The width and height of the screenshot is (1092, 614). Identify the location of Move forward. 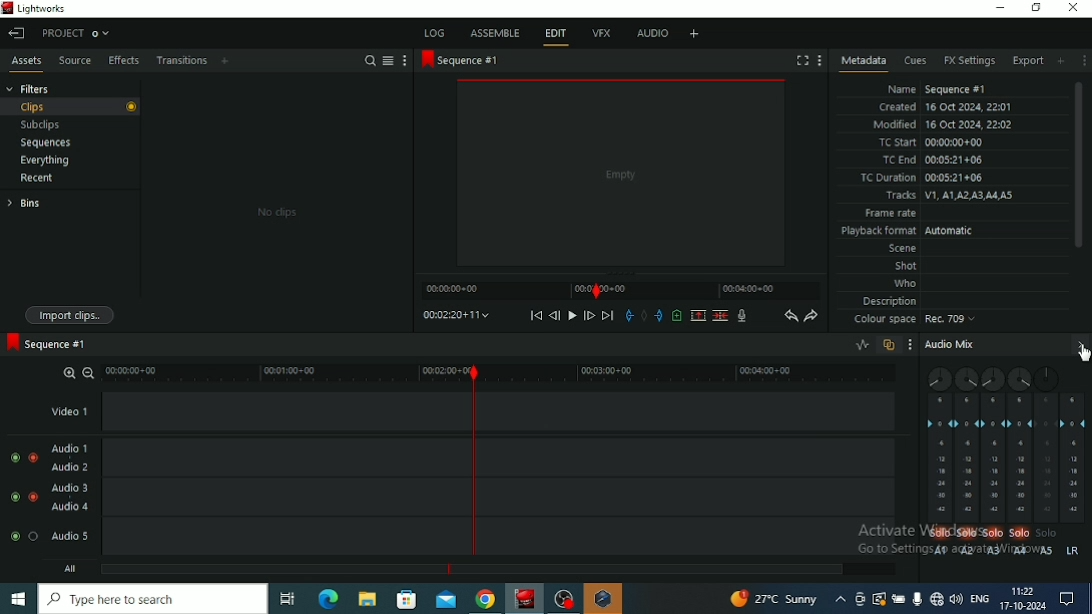
(608, 316).